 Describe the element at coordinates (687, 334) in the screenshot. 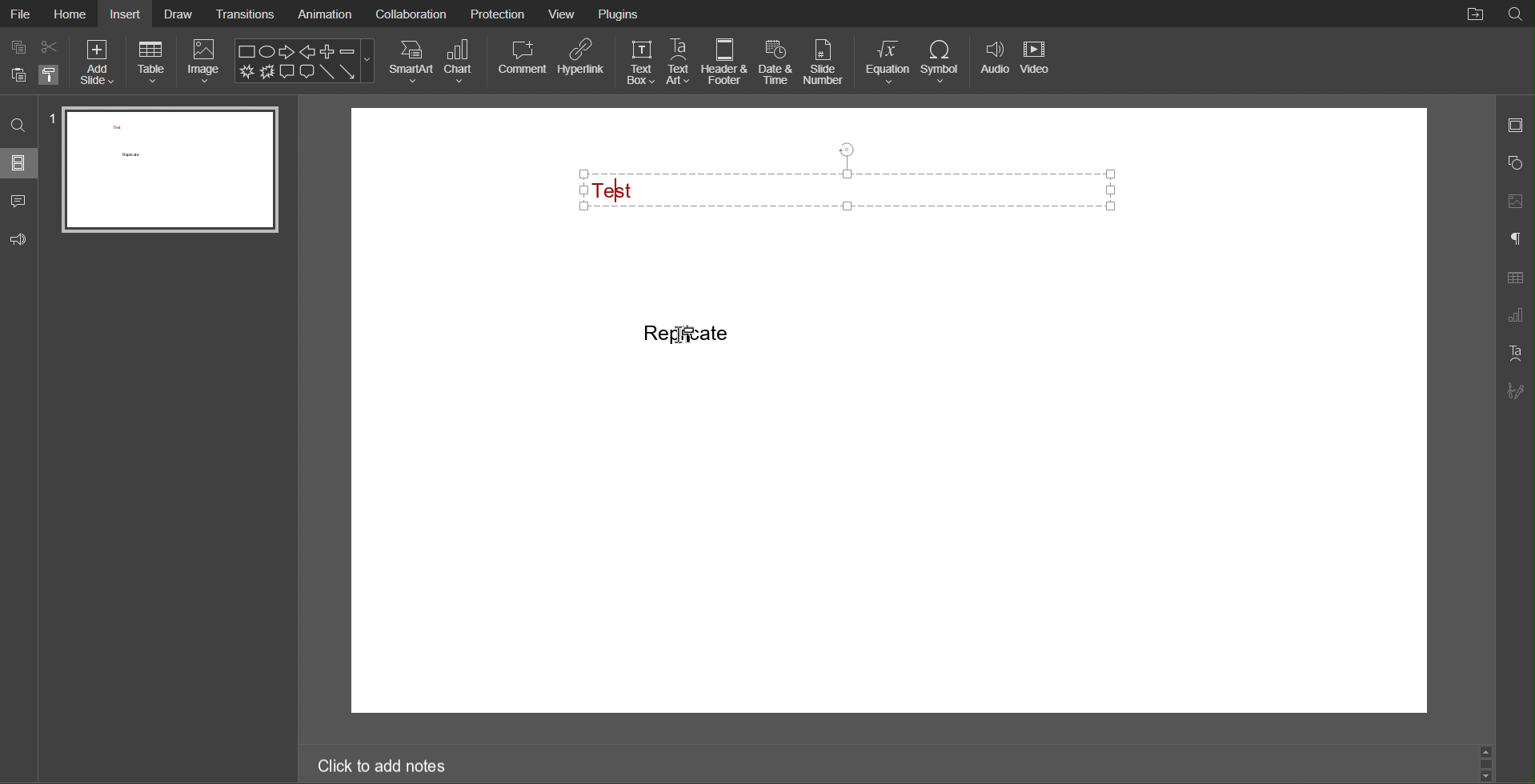

I see `Replicate` at that location.